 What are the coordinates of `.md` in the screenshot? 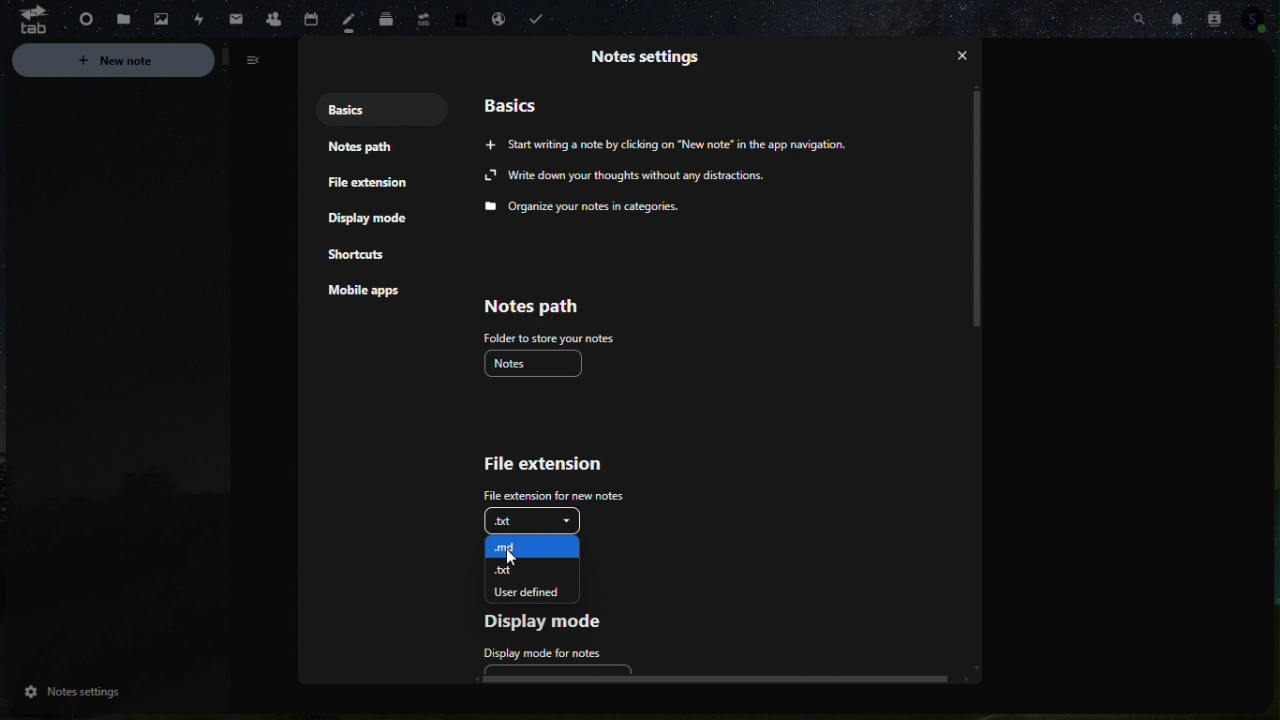 It's located at (538, 545).